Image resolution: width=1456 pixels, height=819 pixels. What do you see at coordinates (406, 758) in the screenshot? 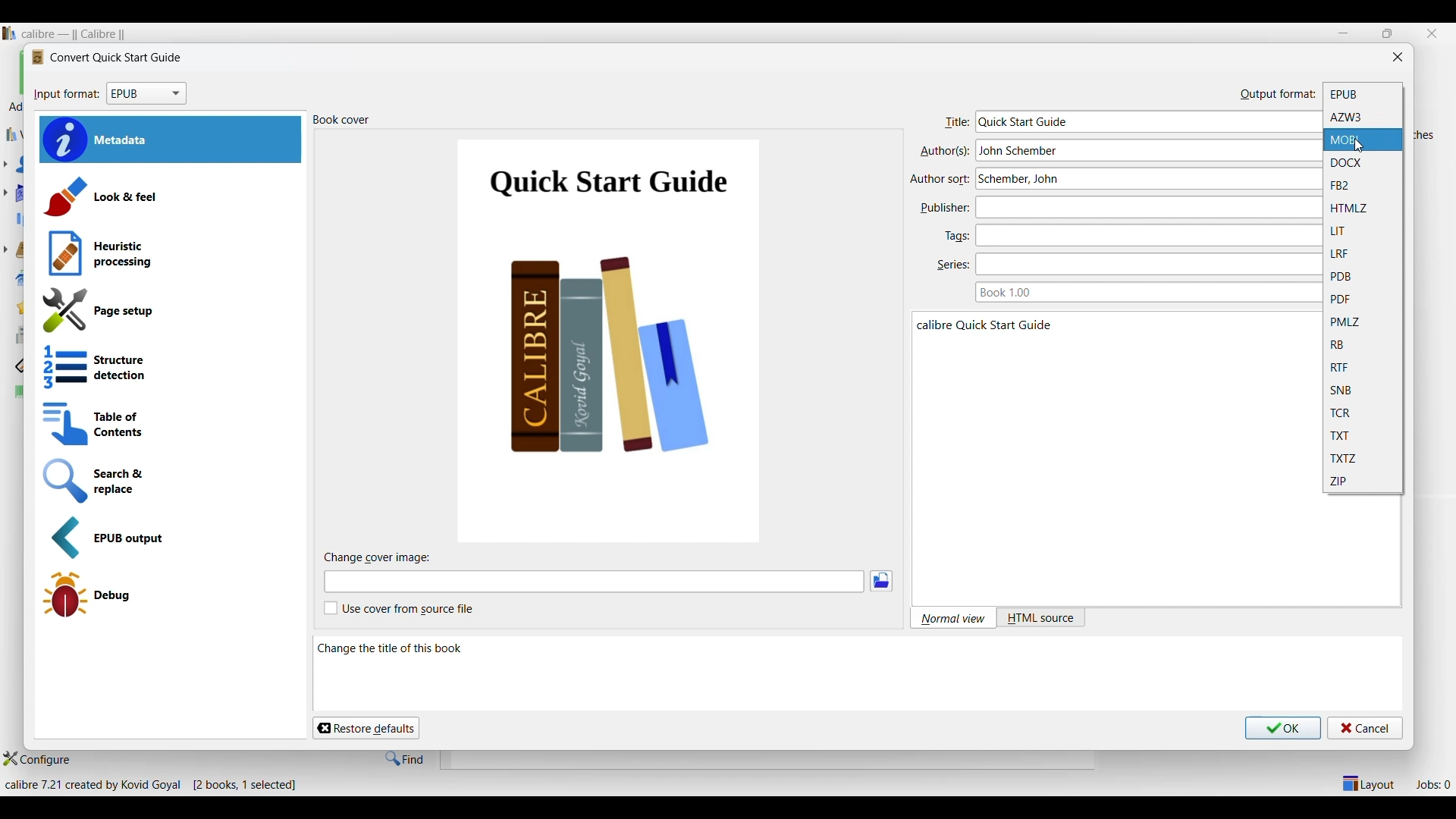
I see `Find` at bounding box center [406, 758].